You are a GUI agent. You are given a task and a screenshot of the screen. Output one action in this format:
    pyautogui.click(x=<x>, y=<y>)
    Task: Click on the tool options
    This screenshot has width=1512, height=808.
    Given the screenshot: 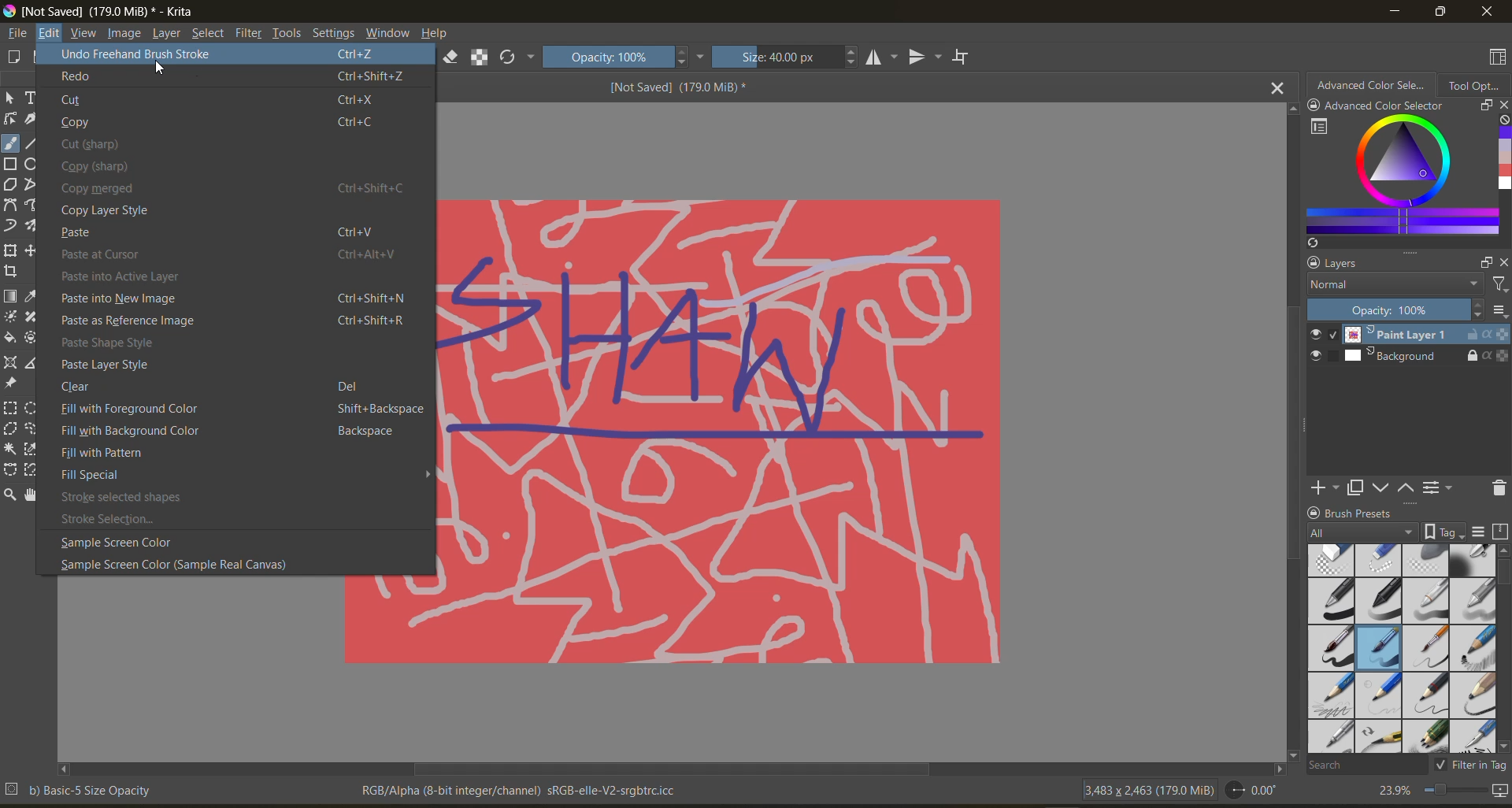 What is the action you would take?
    pyautogui.click(x=1477, y=86)
    